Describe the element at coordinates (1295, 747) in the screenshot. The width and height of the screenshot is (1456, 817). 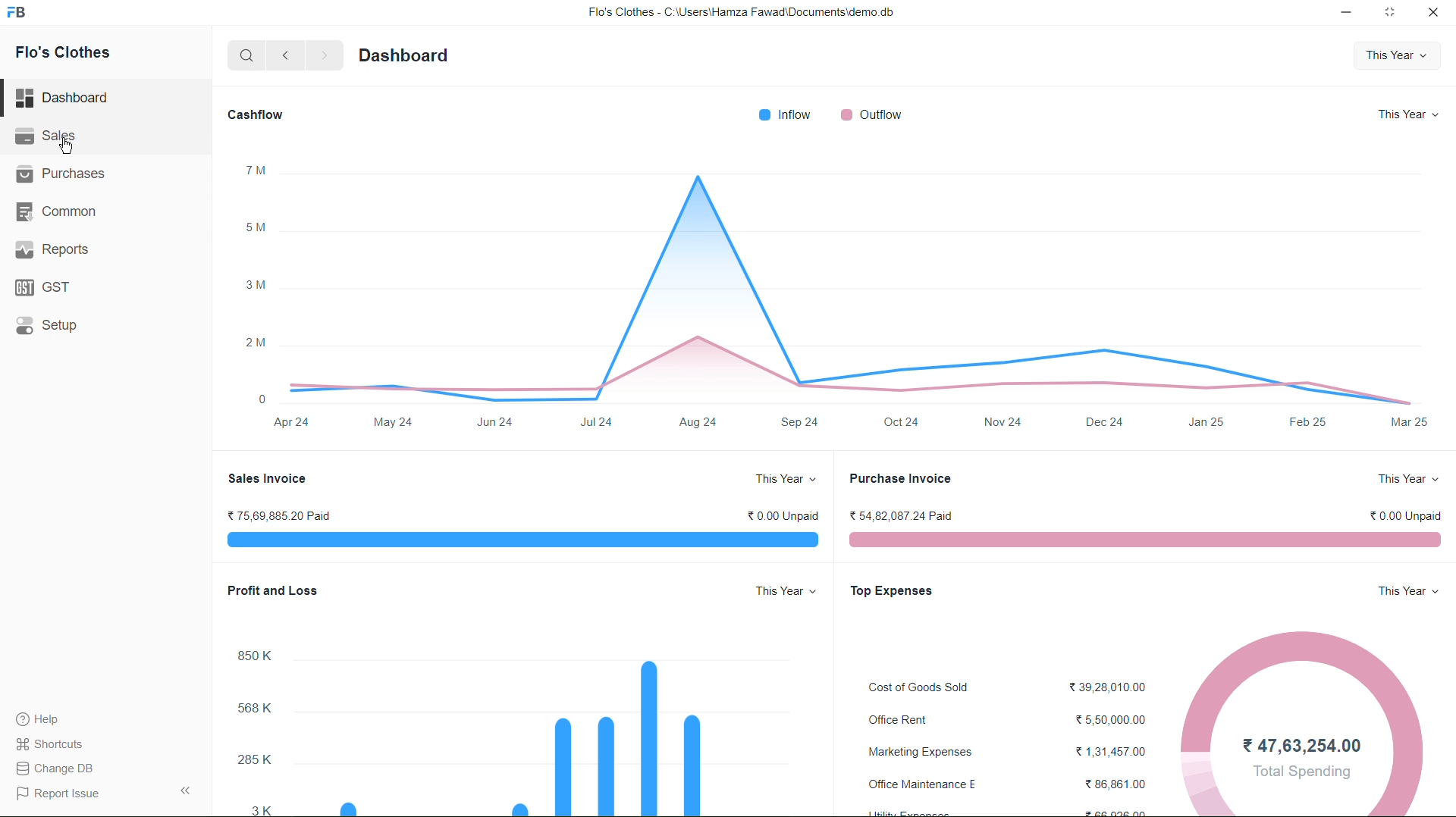
I see `Rs.47,63,254.00` at that location.